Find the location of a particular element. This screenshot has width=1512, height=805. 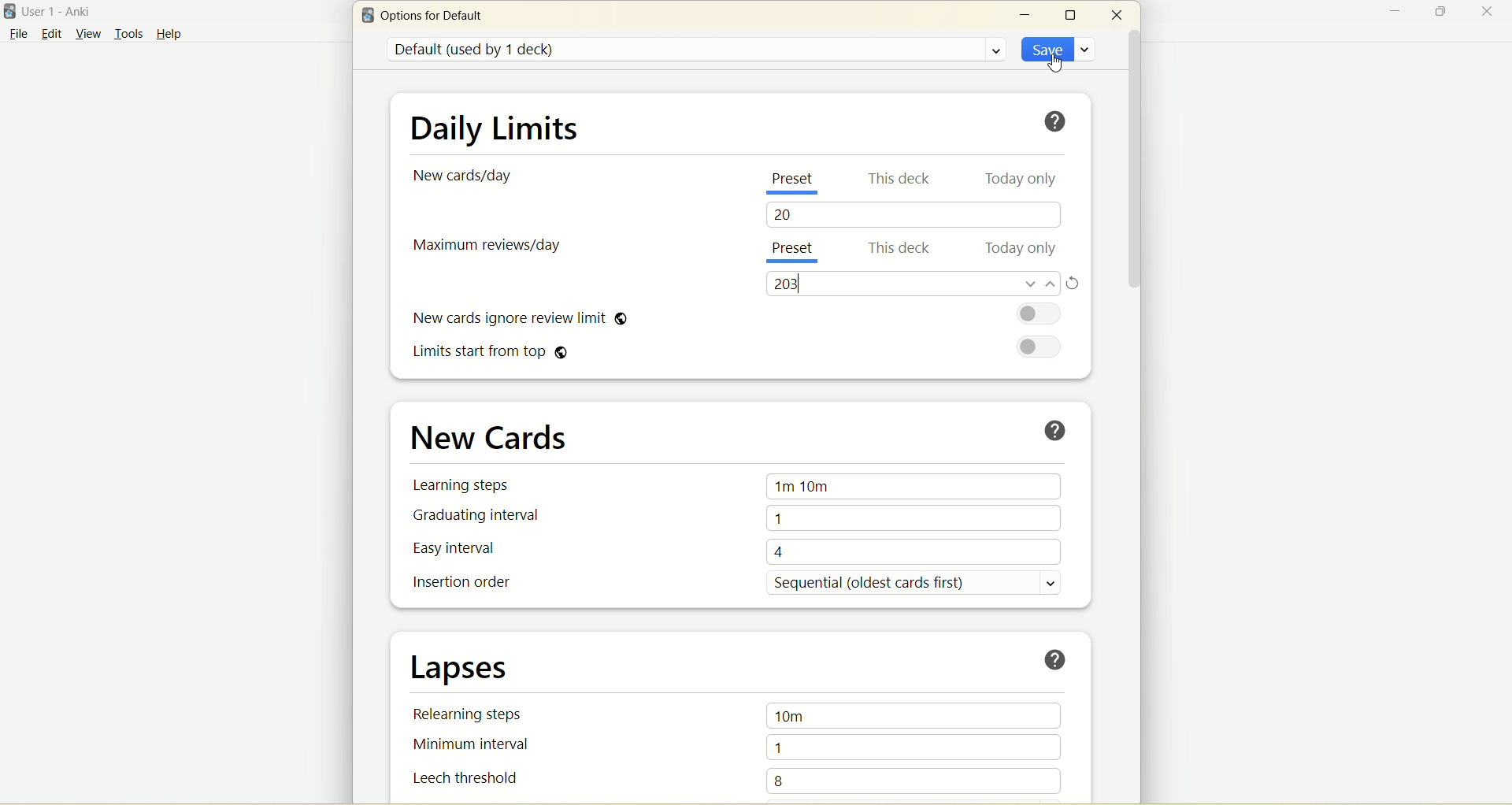

help is located at coordinates (178, 34).